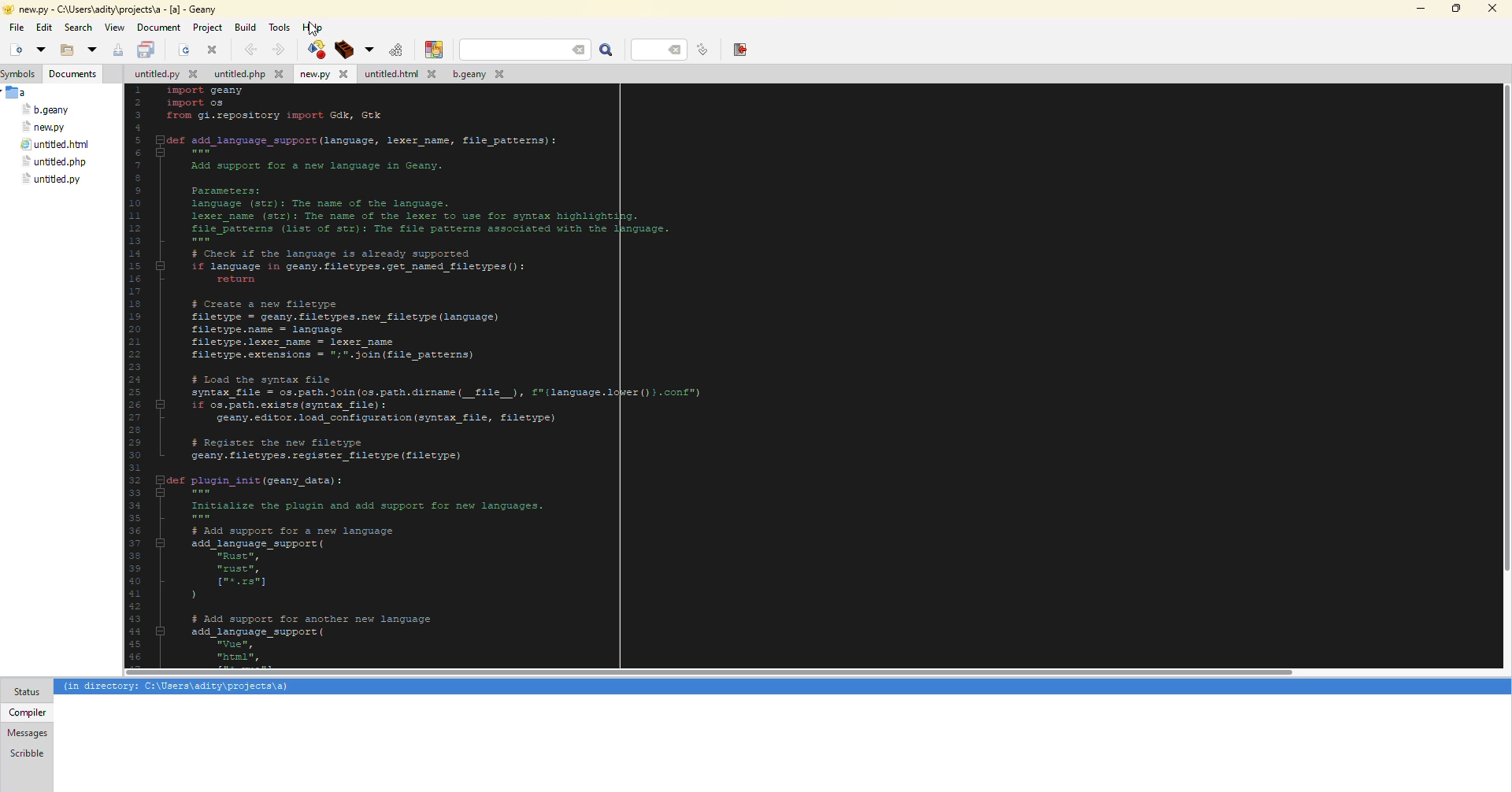 Image resolution: width=1512 pixels, height=792 pixels. I want to click on document, so click(158, 28).